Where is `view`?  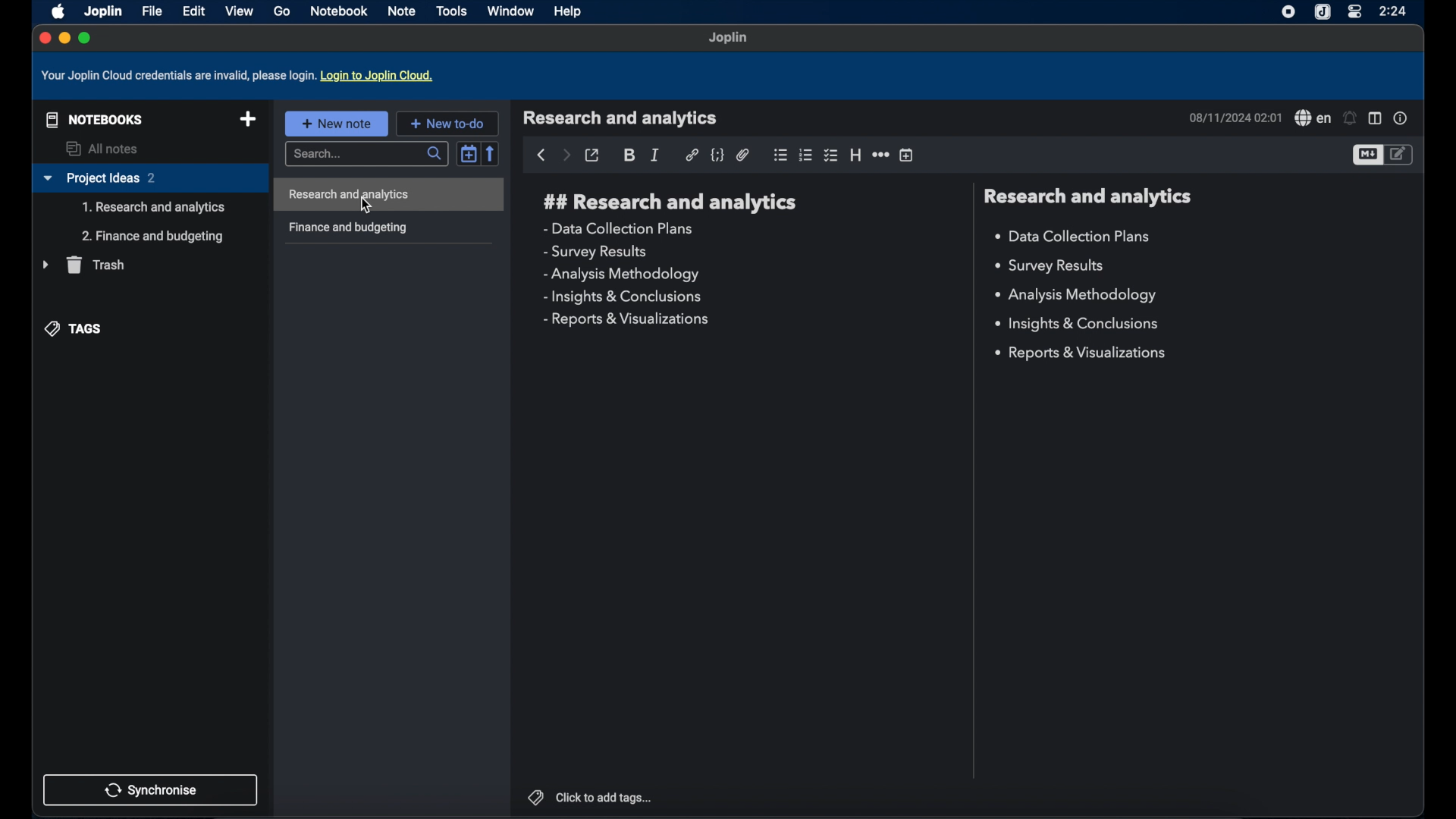 view is located at coordinates (239, 11).